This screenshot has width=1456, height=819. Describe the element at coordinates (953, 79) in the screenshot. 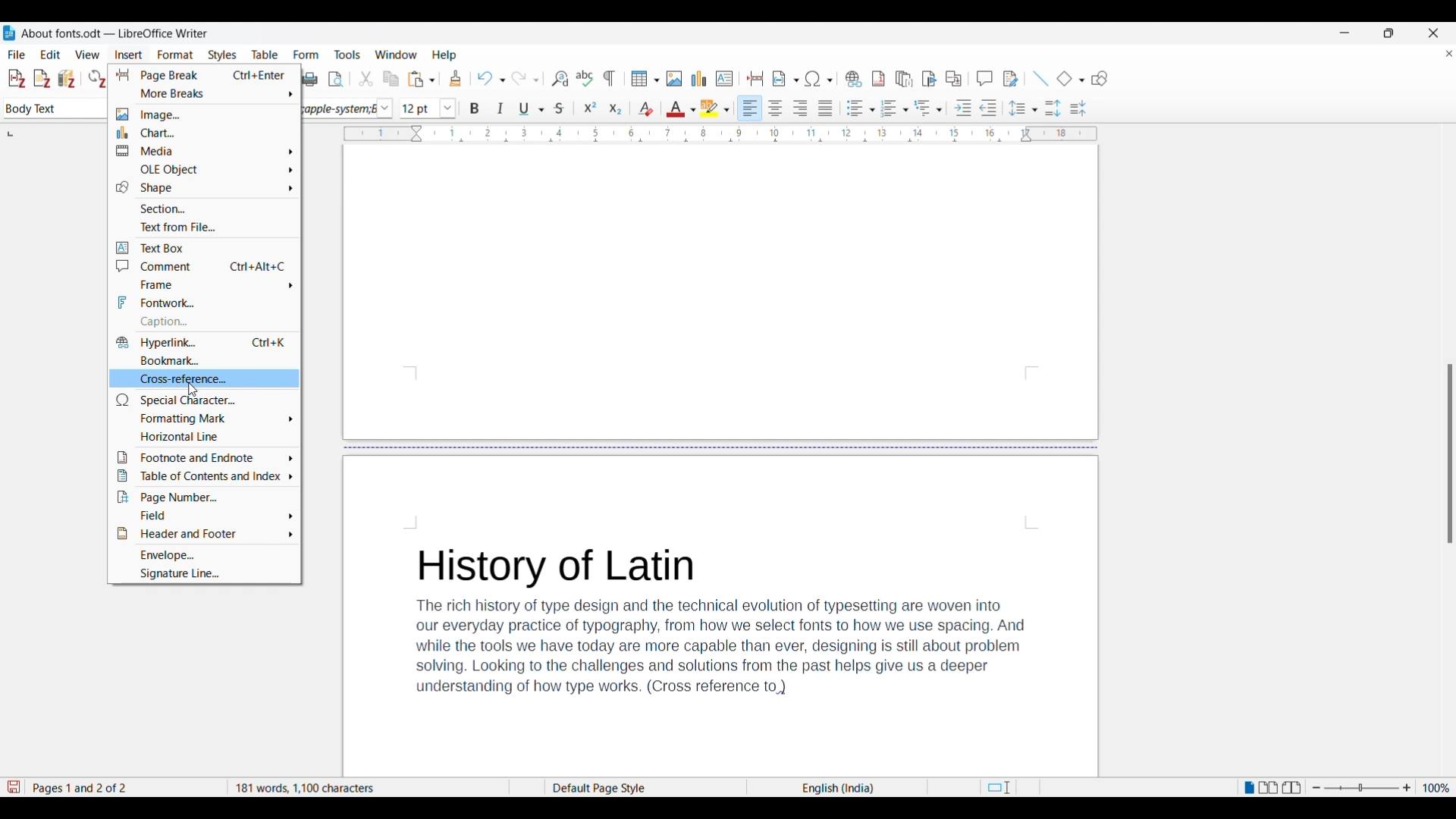

I see `Insert cross-reference` at that location.